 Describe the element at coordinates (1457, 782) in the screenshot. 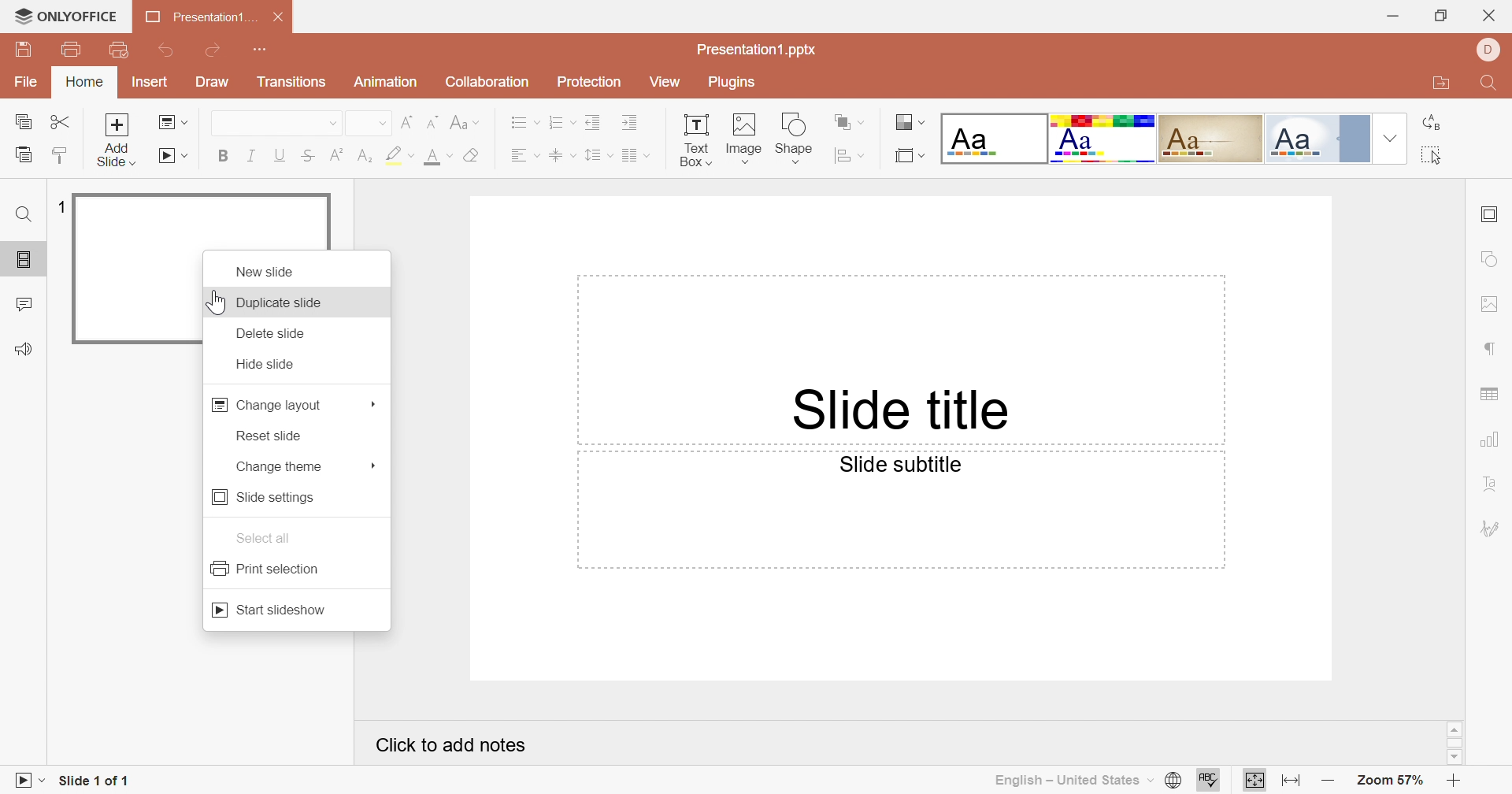

I see `Zoom in` at that location.